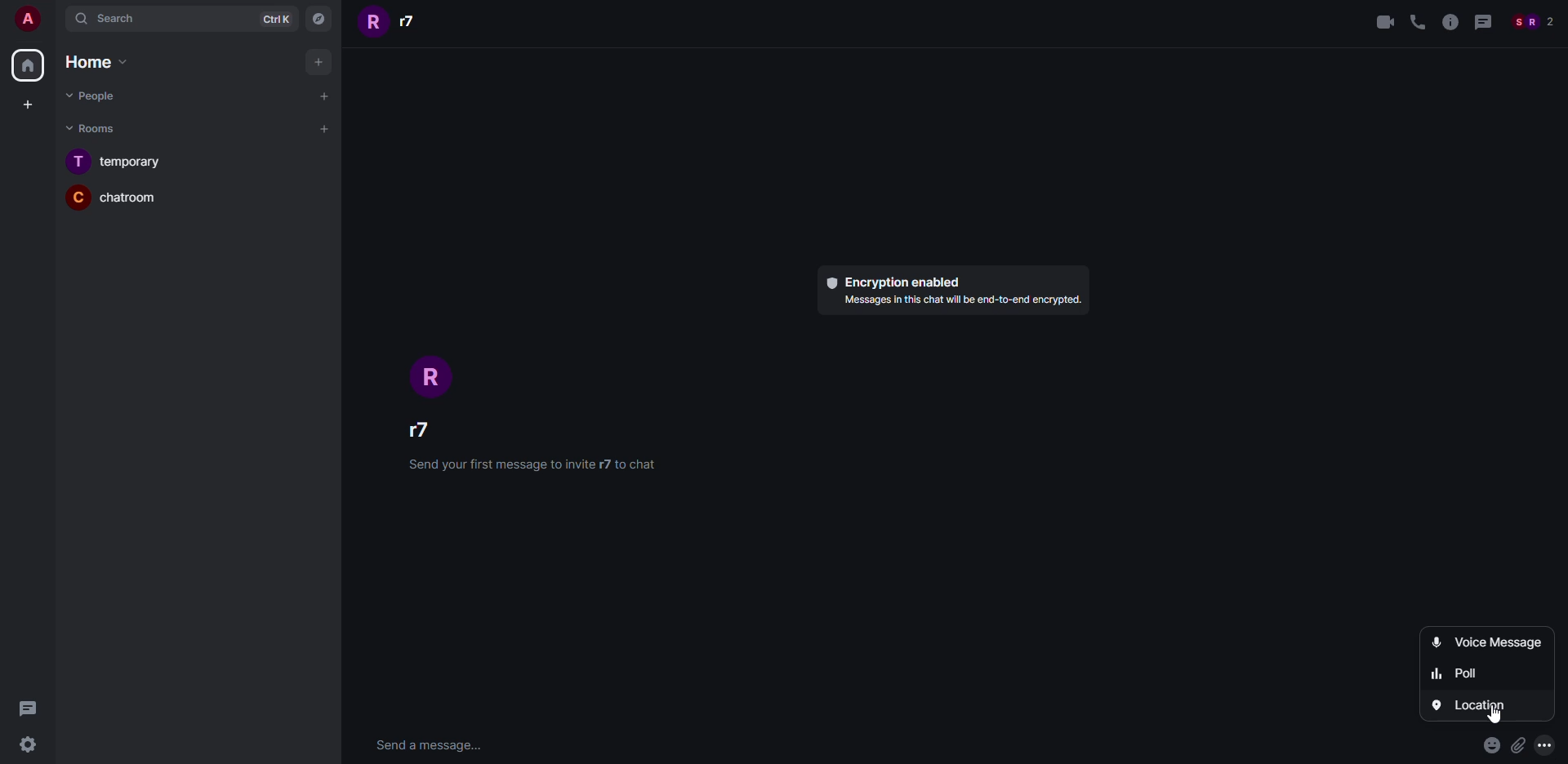 The height and width of the screenshot is (764, 1568). I want to click on settingd, so click(25, 747).